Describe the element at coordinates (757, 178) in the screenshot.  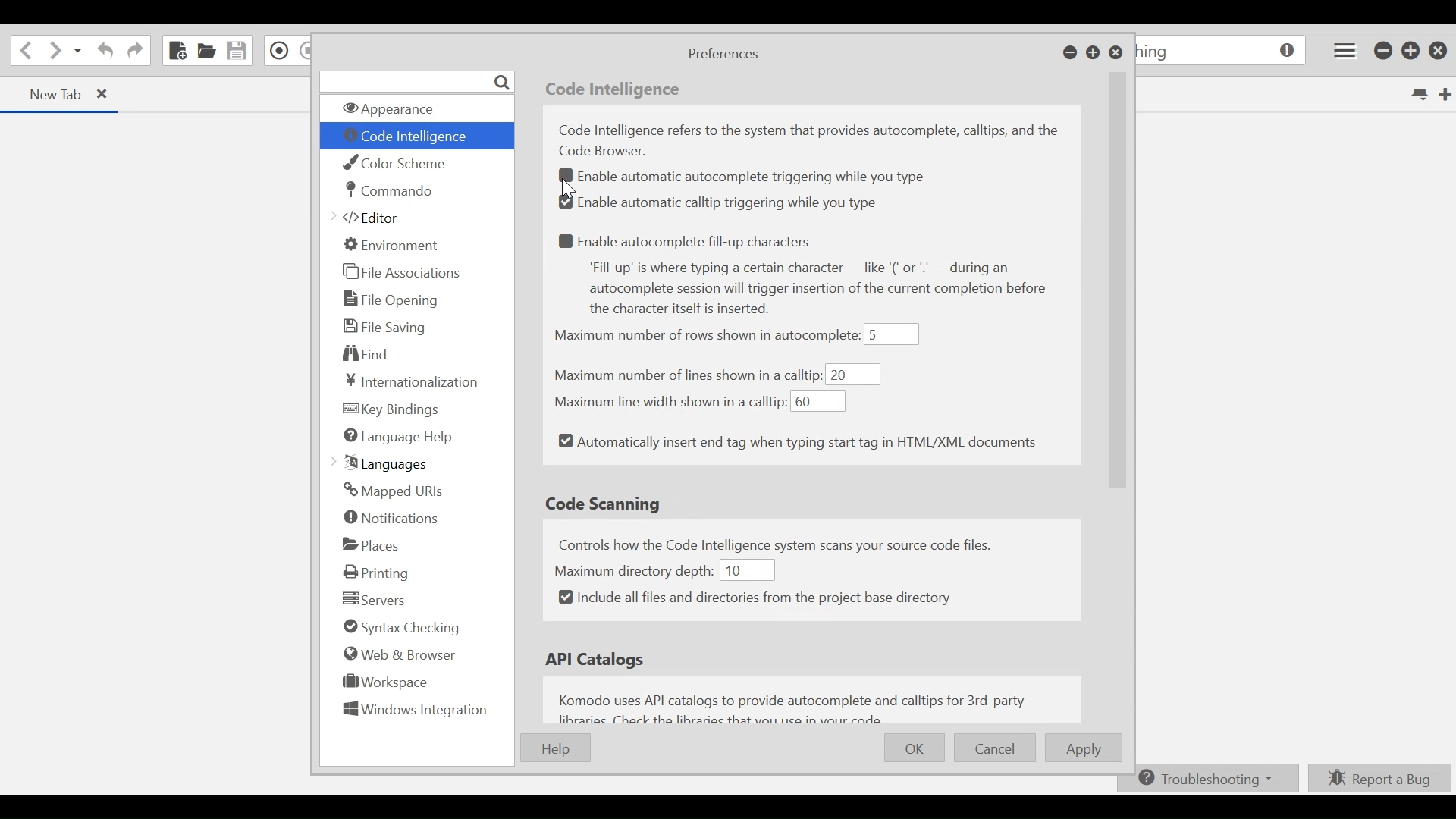
I see `enable automatic autocomplete triggering while you type` at that location.